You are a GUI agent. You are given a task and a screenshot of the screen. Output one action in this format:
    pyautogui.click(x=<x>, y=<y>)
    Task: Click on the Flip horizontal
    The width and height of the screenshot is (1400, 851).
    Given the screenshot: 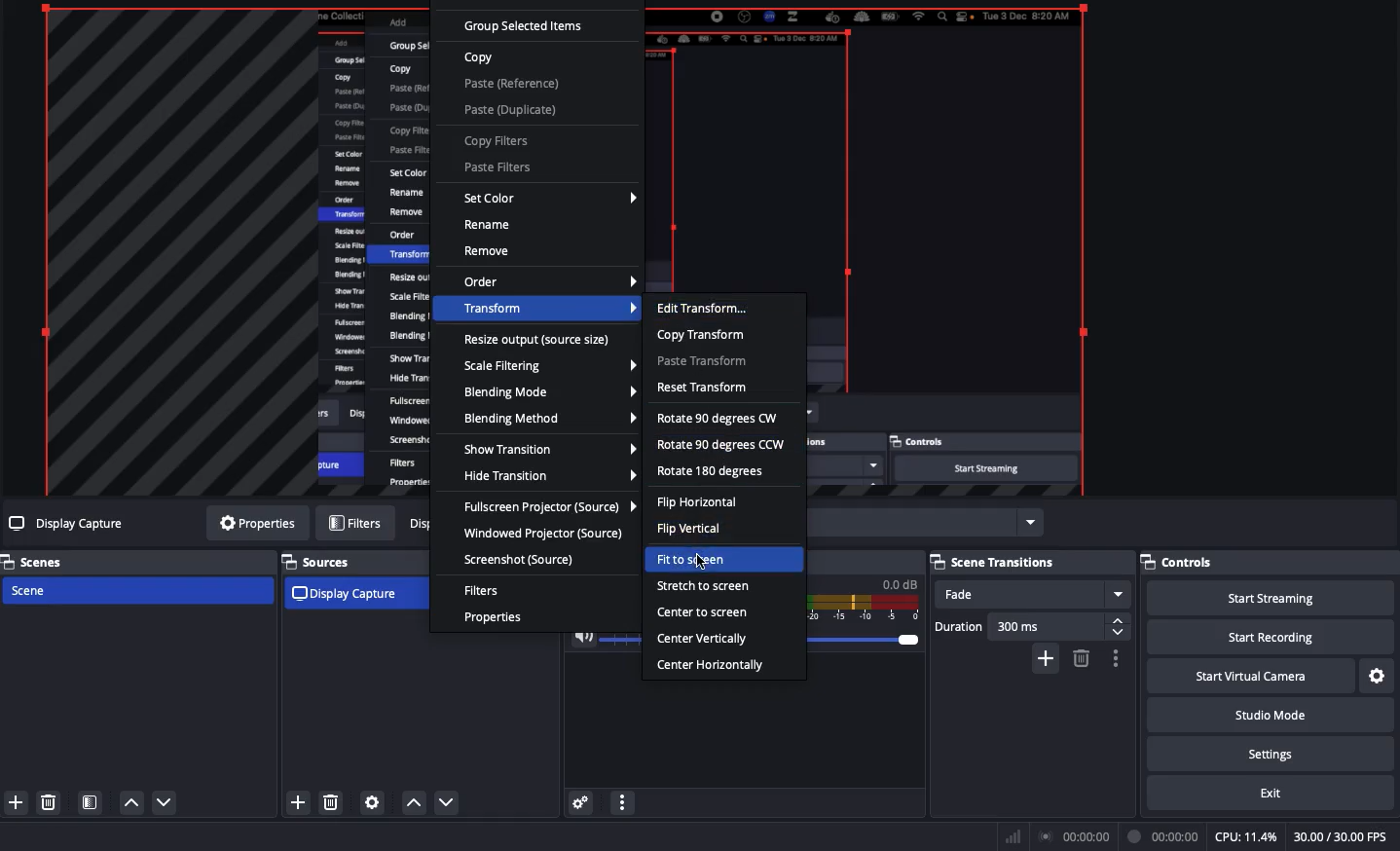 What is the action you would take?
    pyautogui.click(x=697, y=504)
    